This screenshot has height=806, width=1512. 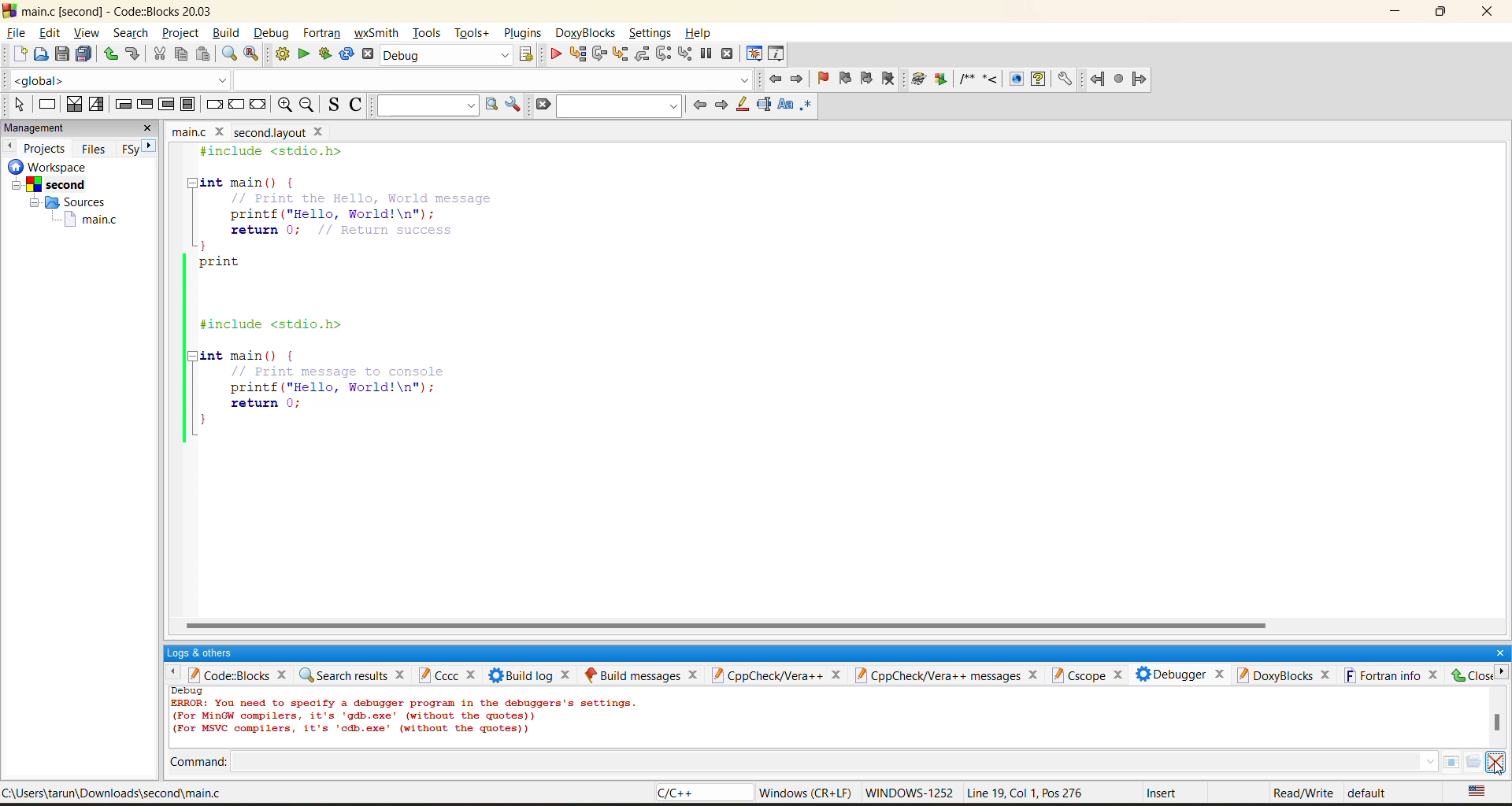 I want to click on open, so click(x=40, y=54).